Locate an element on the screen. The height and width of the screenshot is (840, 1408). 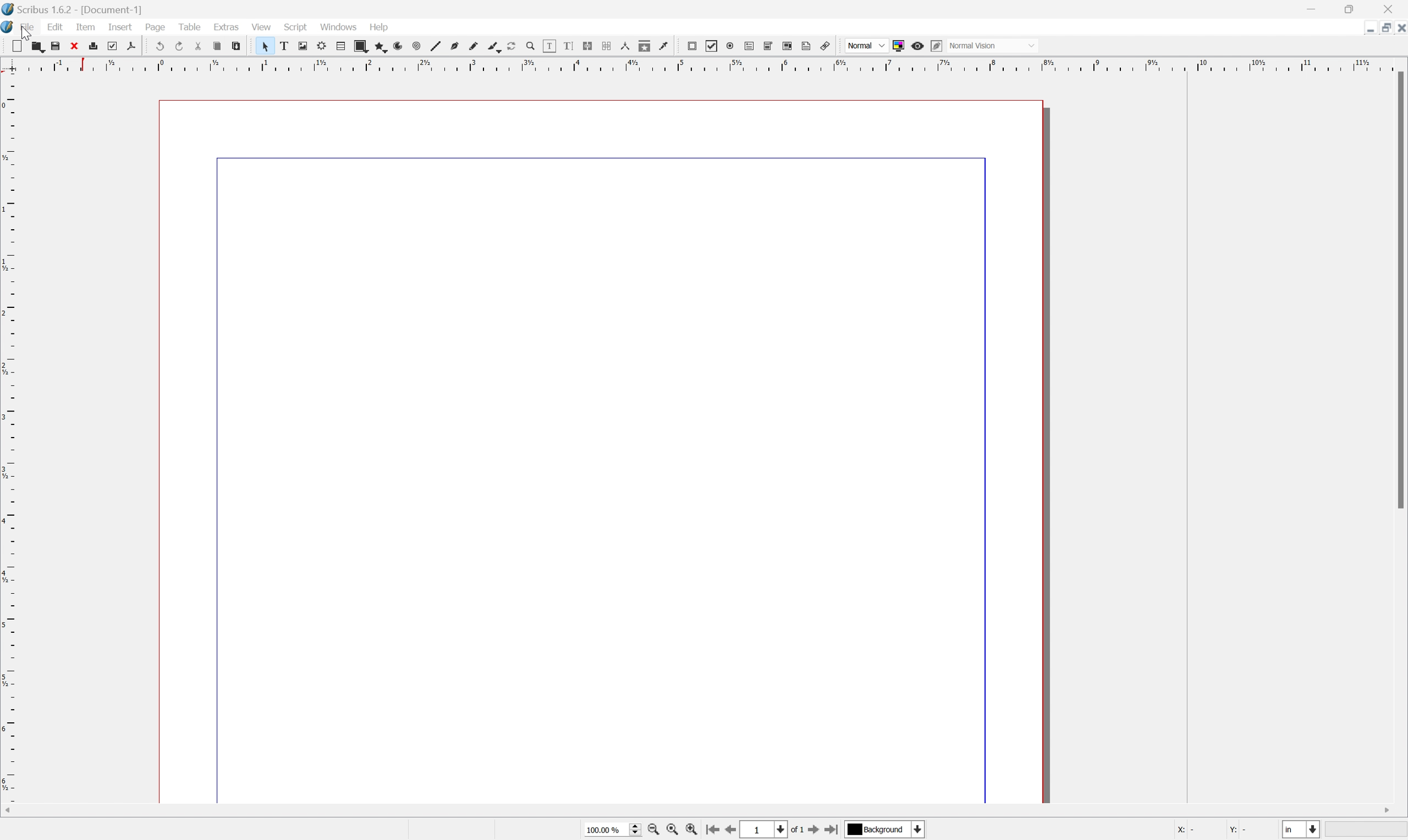
Page is located at coordinates (157, 29).